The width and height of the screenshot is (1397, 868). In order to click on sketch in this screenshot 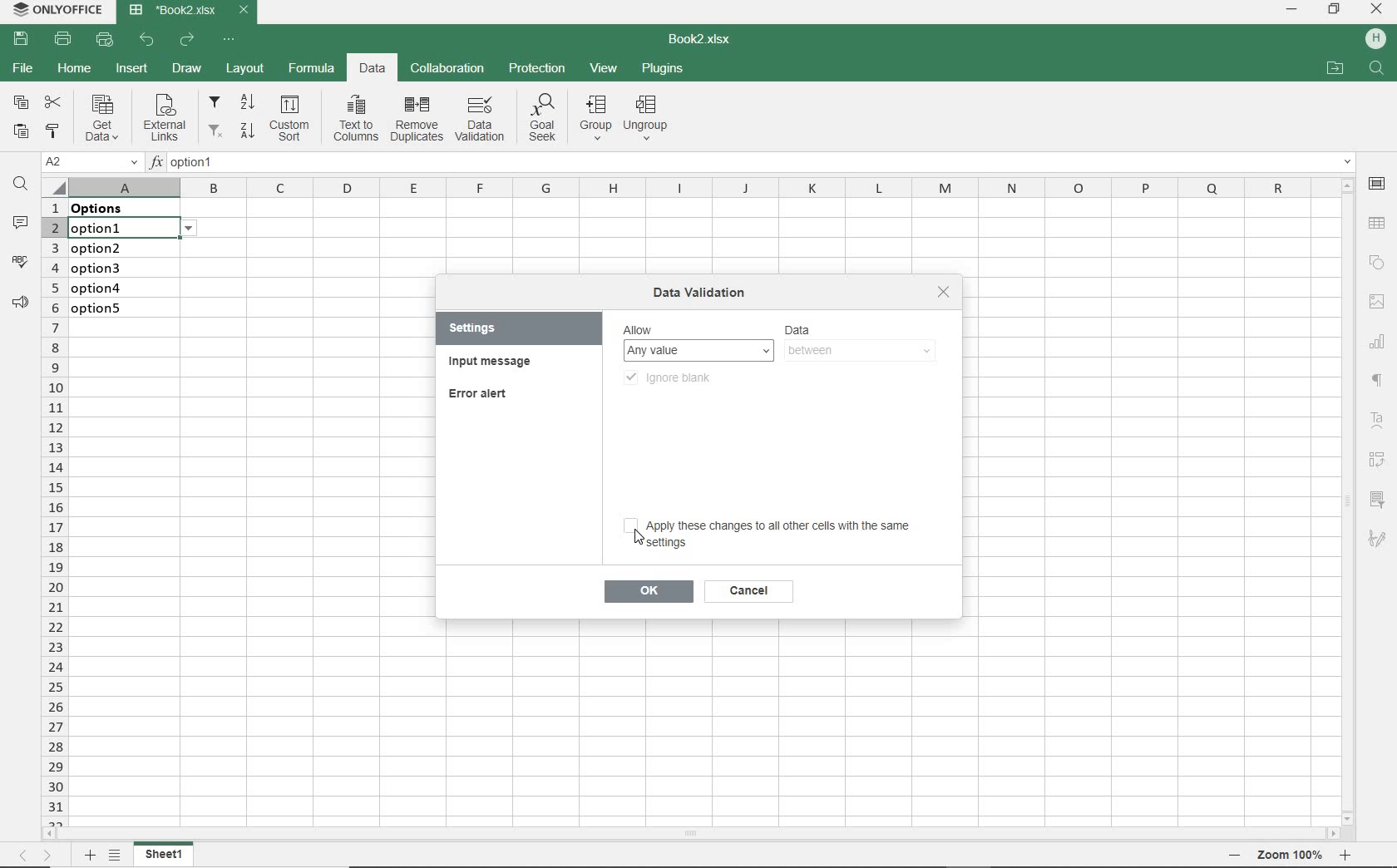, I will do `click(1380, 540)`.